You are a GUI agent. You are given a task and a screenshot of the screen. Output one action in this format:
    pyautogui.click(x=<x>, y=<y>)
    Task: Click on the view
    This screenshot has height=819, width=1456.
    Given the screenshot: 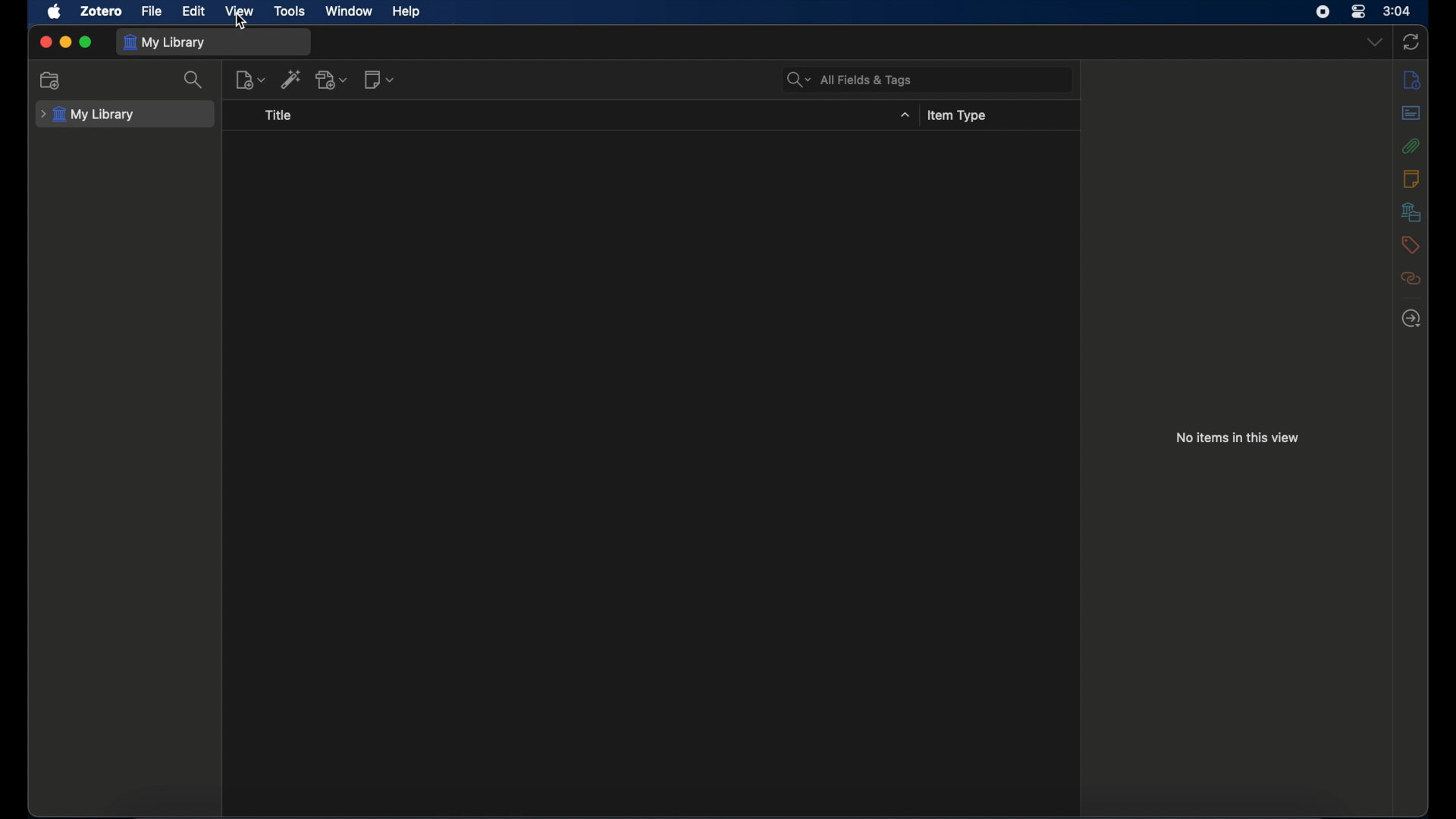 What is the action you would take?
    pyautogui.click(x=241, y=11)
    